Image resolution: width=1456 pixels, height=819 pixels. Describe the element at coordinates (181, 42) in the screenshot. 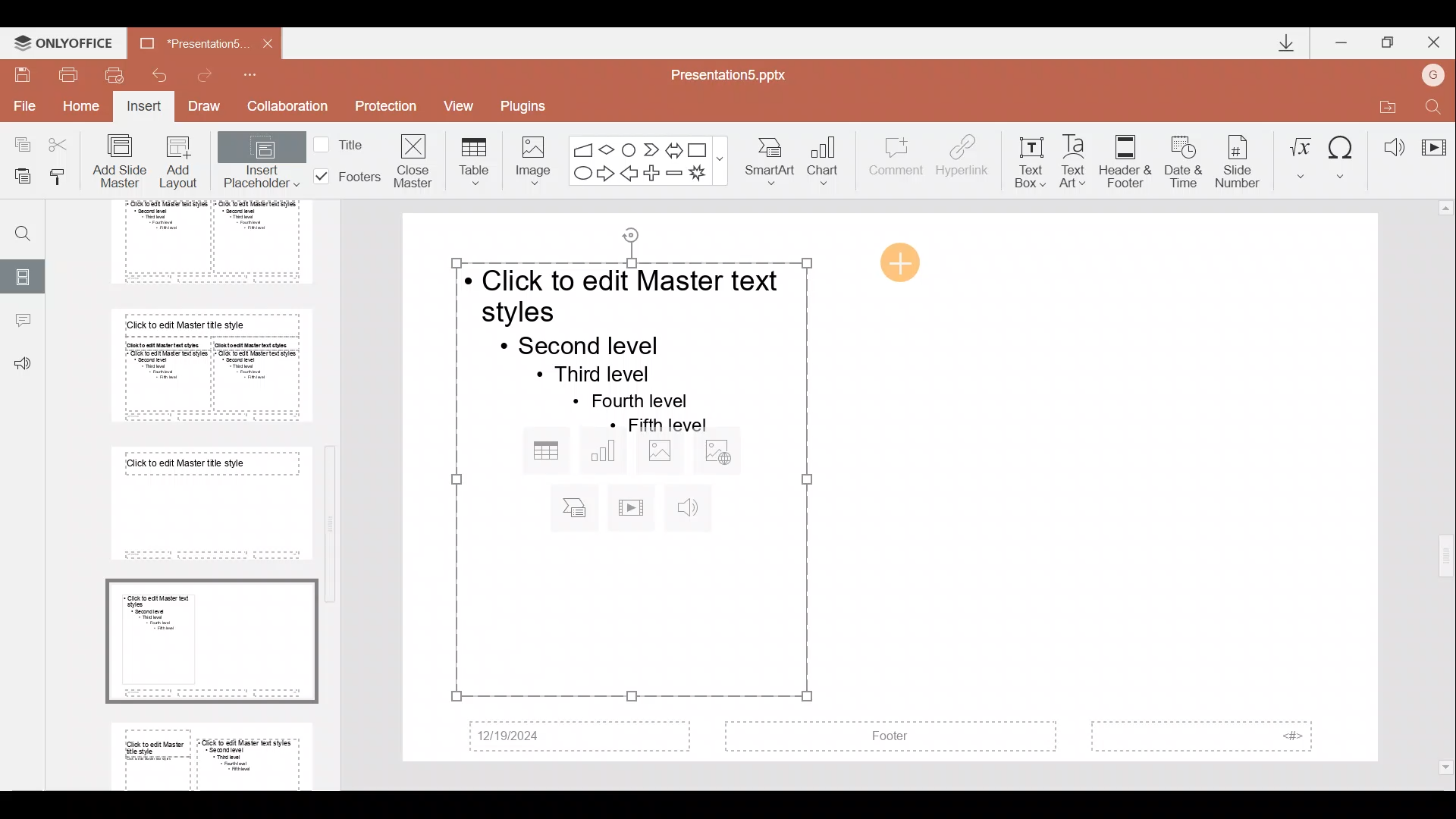

I see `Document name` at that location.